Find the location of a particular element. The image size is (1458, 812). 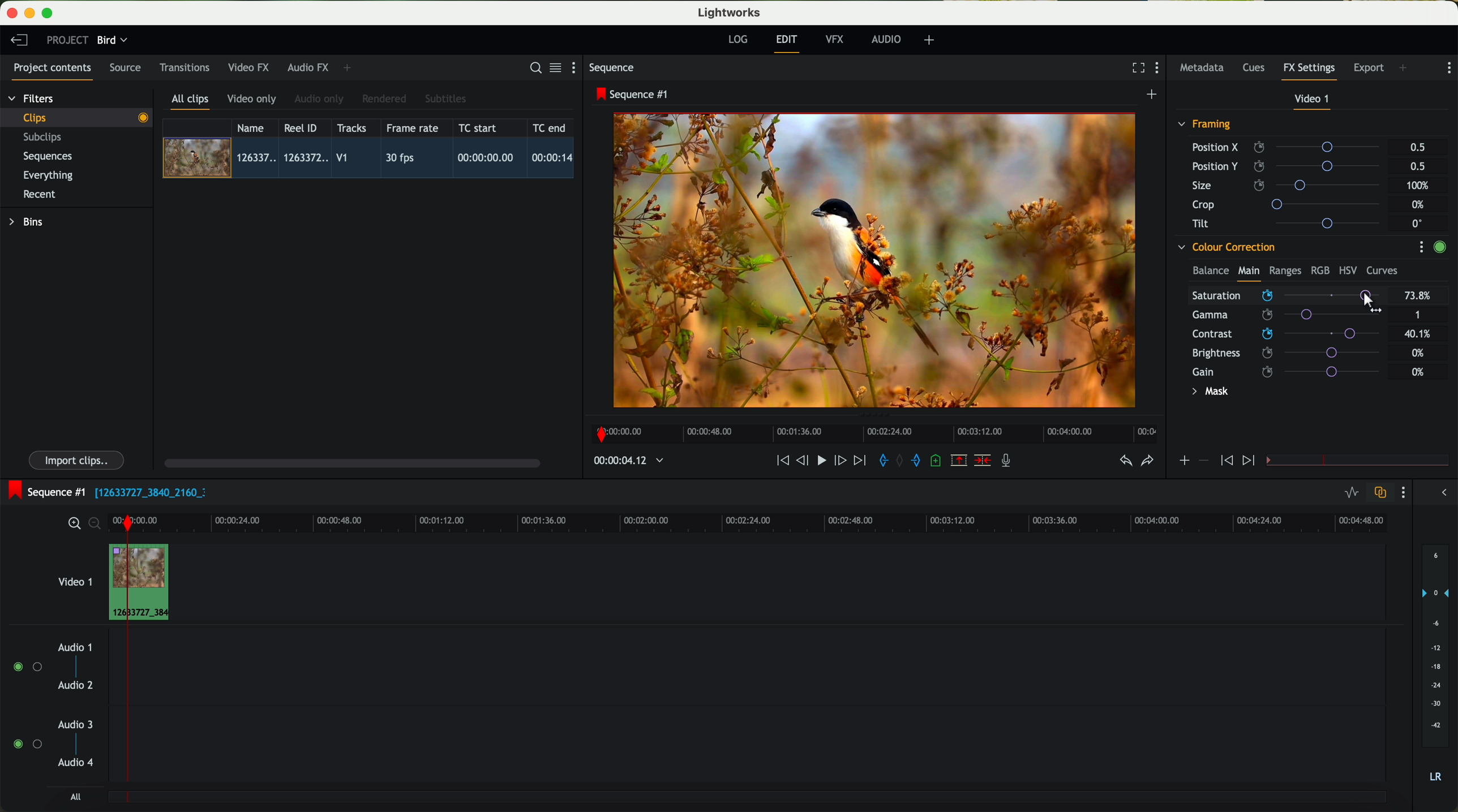

click on video is located at coordinates (372, 160).